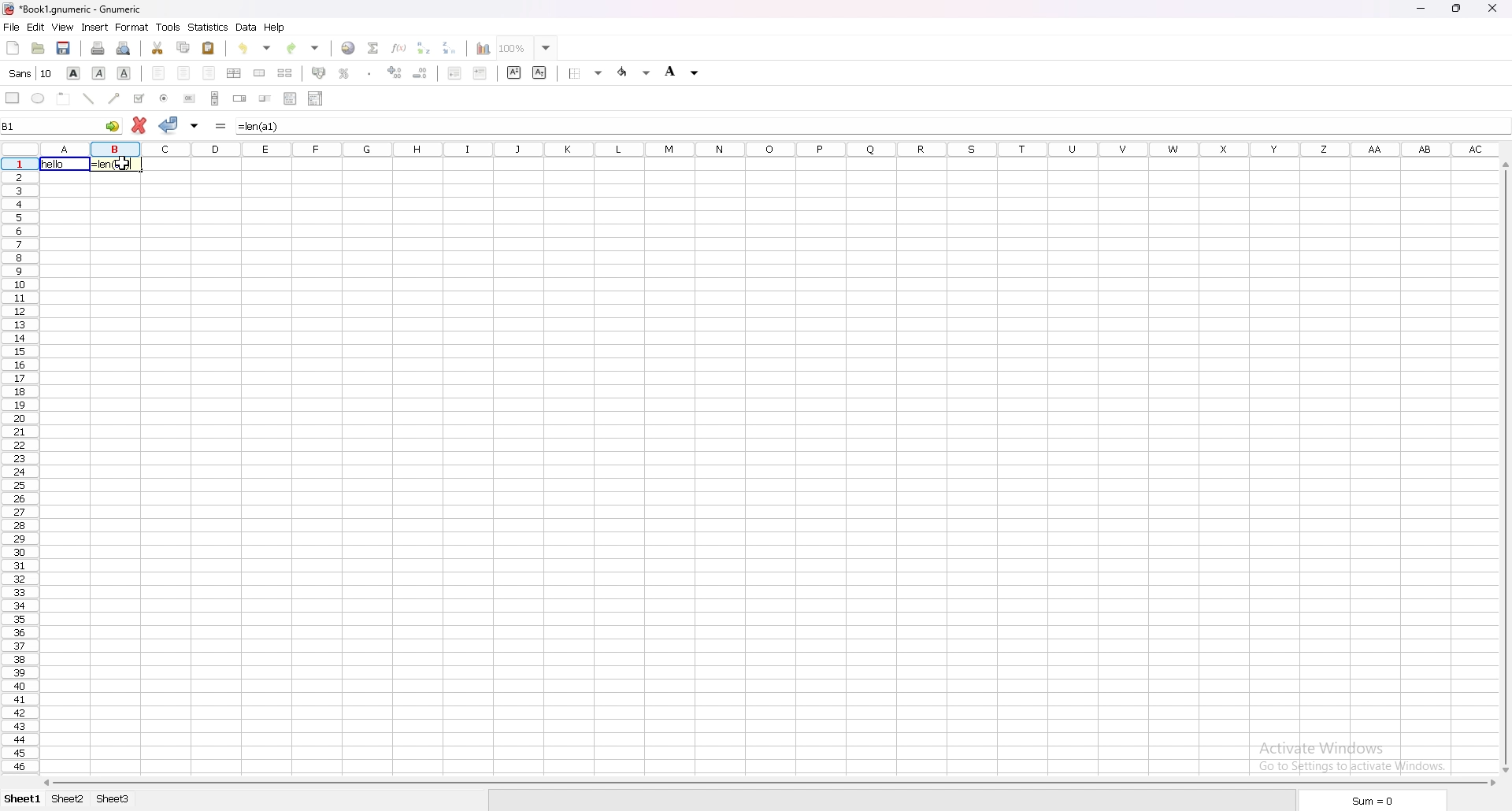  What do you see at coordinates (209, 74) in the screenshot?
I see `align right` at bounding box center [209, 74].